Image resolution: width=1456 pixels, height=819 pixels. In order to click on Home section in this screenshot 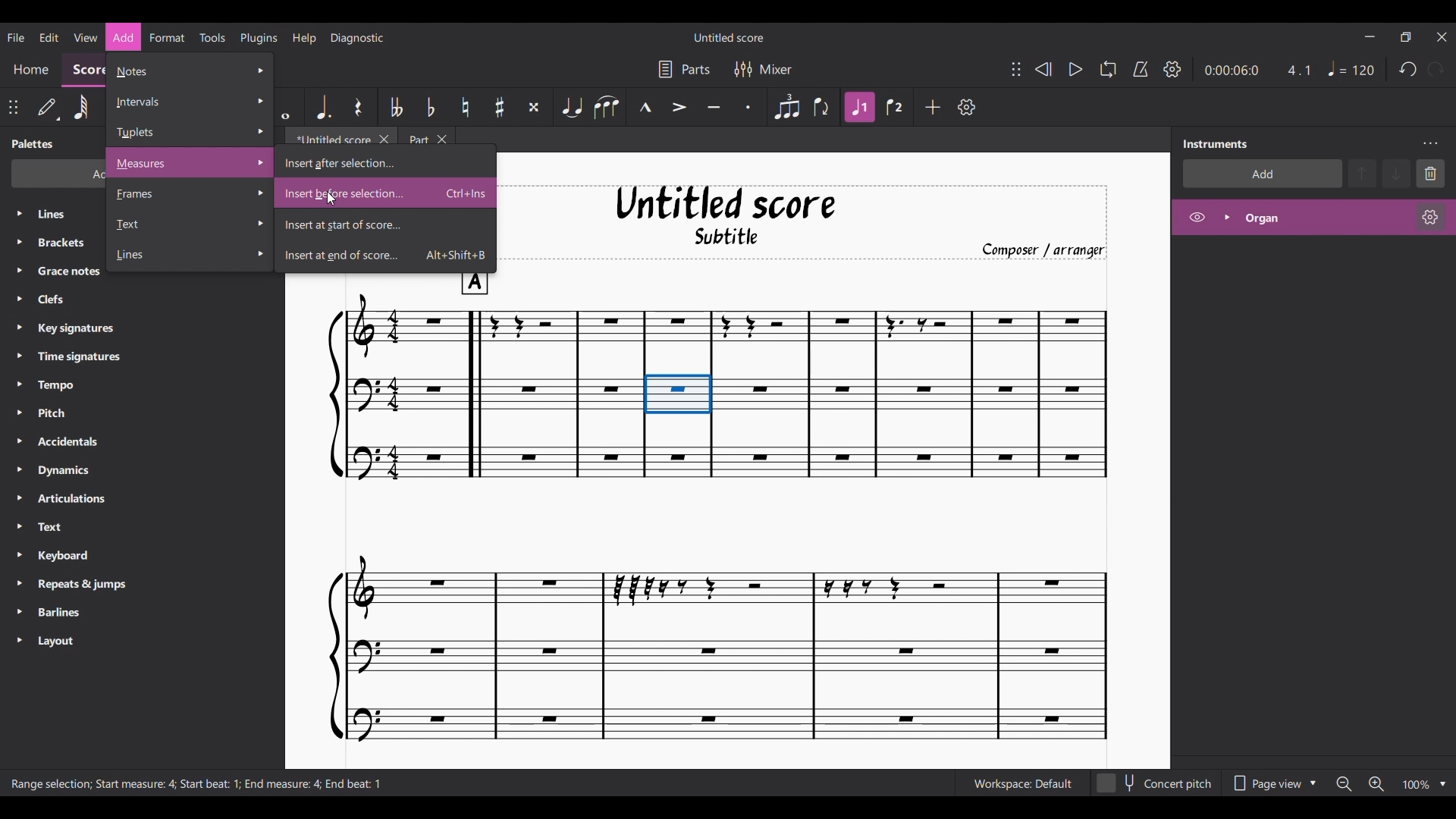, I will do `click(30, 69)`.